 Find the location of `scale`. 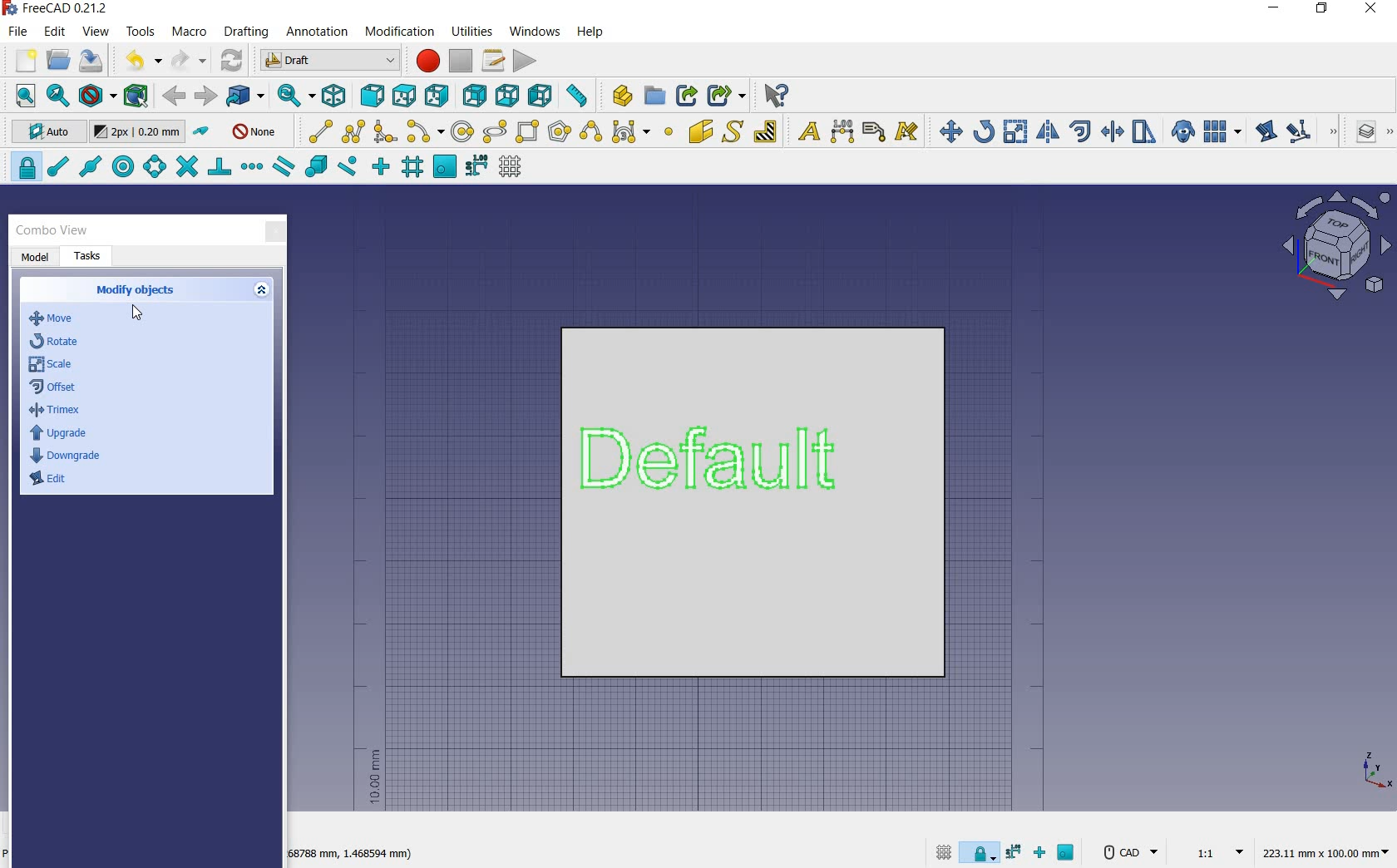

scale is located at coordinates (52, 366).